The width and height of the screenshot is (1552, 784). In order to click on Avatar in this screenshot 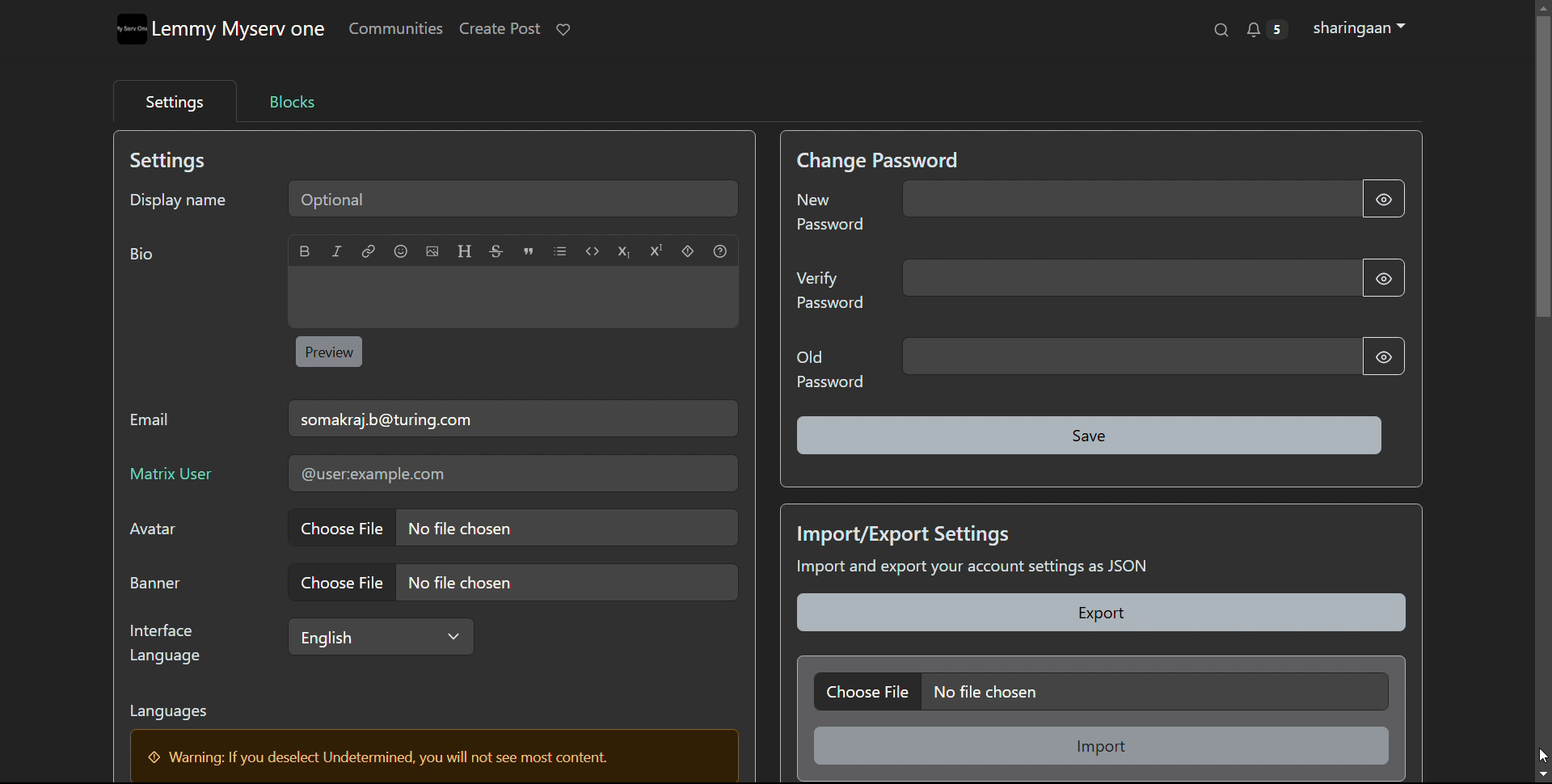, I will do `click(150, 532)`.